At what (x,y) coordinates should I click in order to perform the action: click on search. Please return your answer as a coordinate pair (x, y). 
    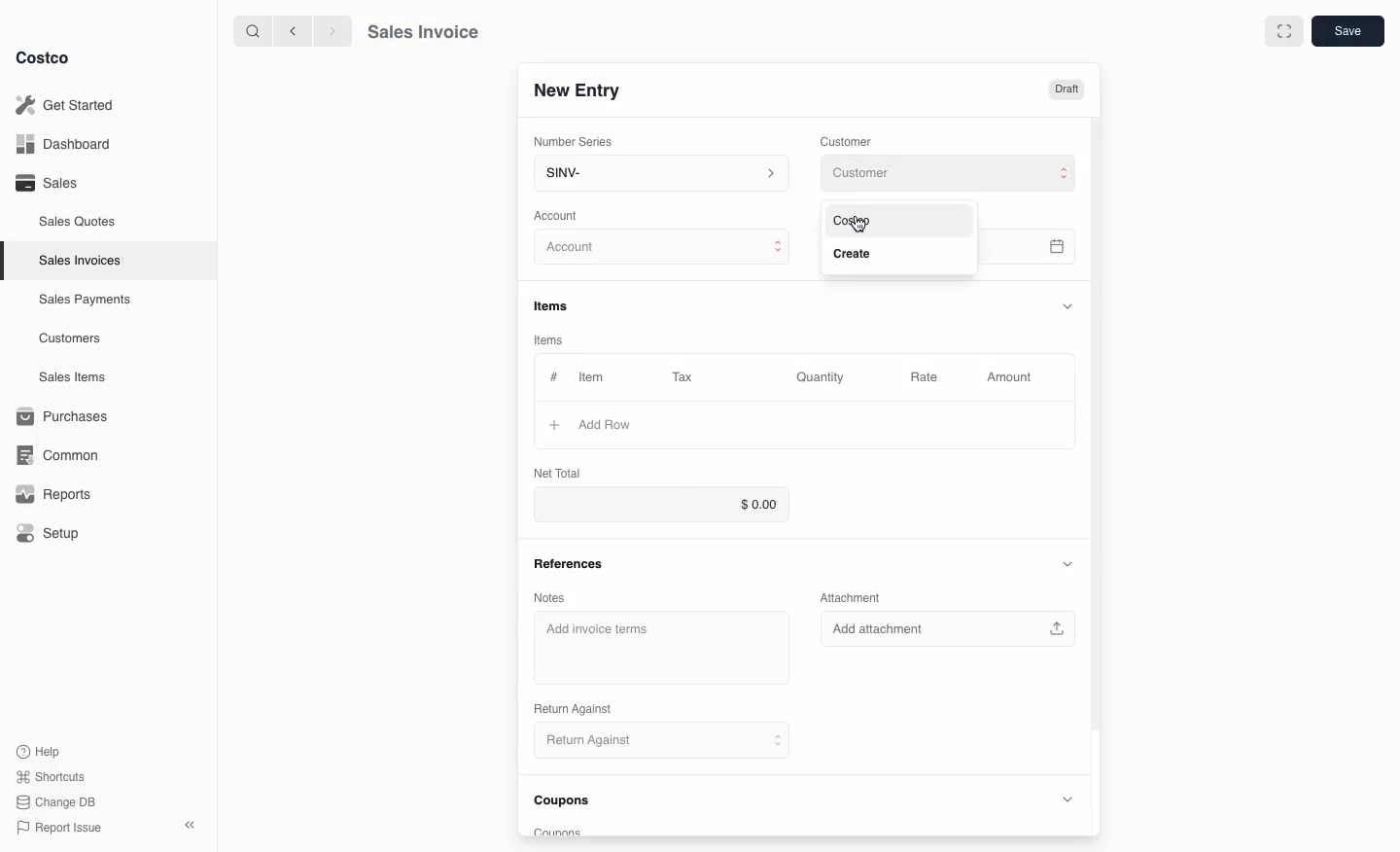
    Looking at the image, I should click on (249, 30).